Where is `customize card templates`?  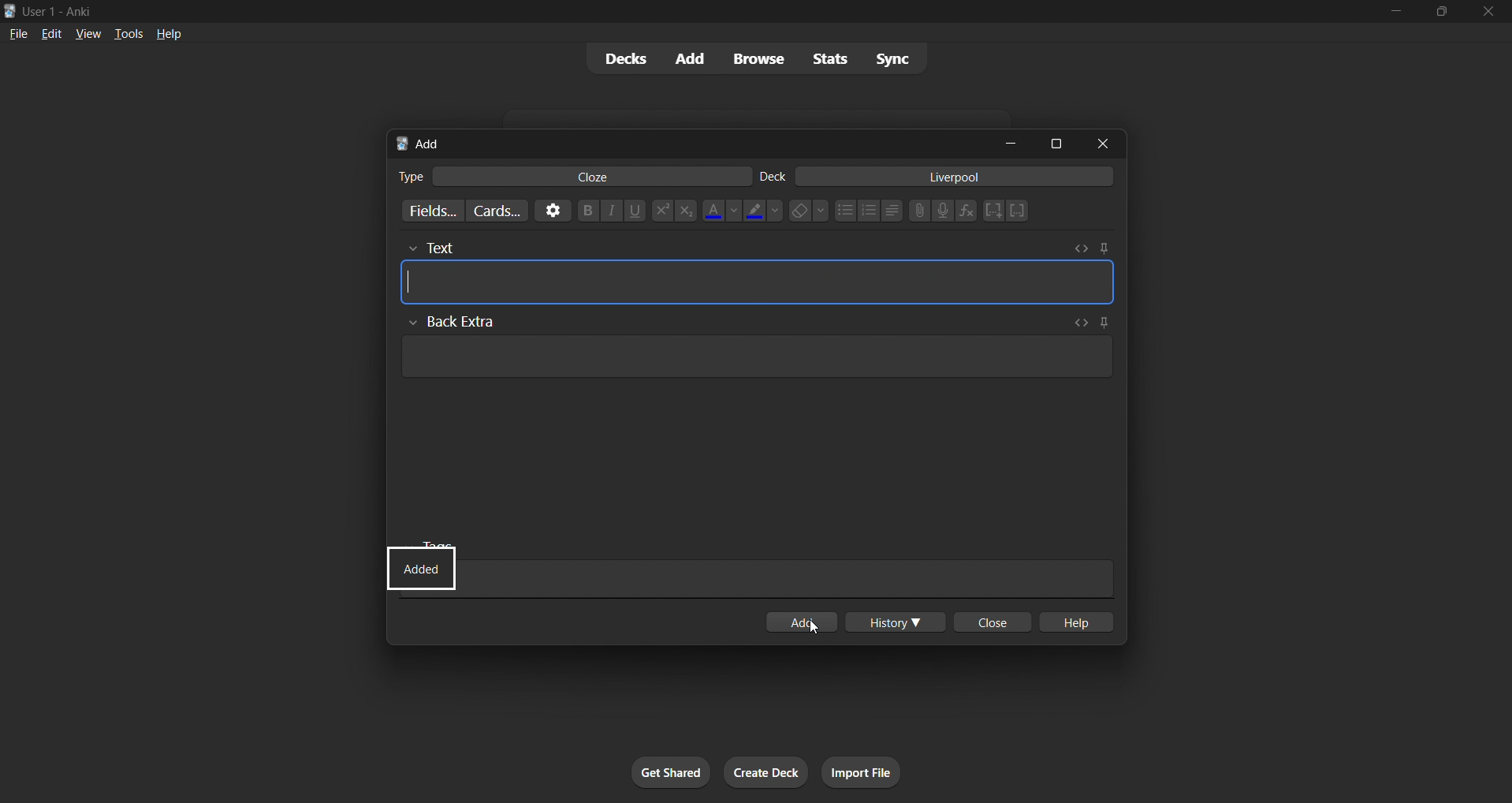
customize card templates is located at coordinates (504, 211).